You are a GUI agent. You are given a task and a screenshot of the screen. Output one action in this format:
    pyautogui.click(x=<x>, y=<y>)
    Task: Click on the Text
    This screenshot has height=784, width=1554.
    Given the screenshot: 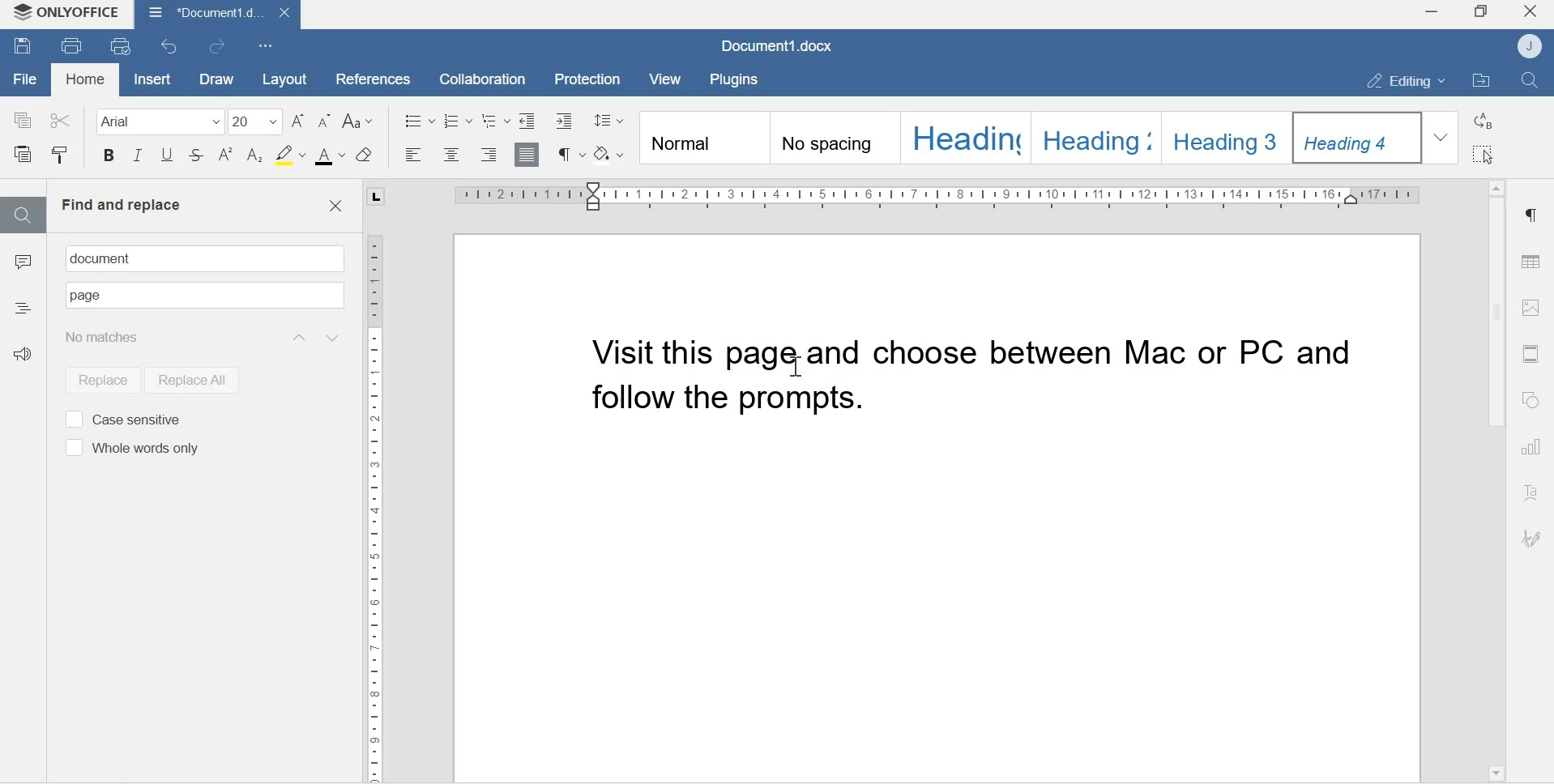 What is the action you would take?
    pyautogui.click(x=87, y=296)
    